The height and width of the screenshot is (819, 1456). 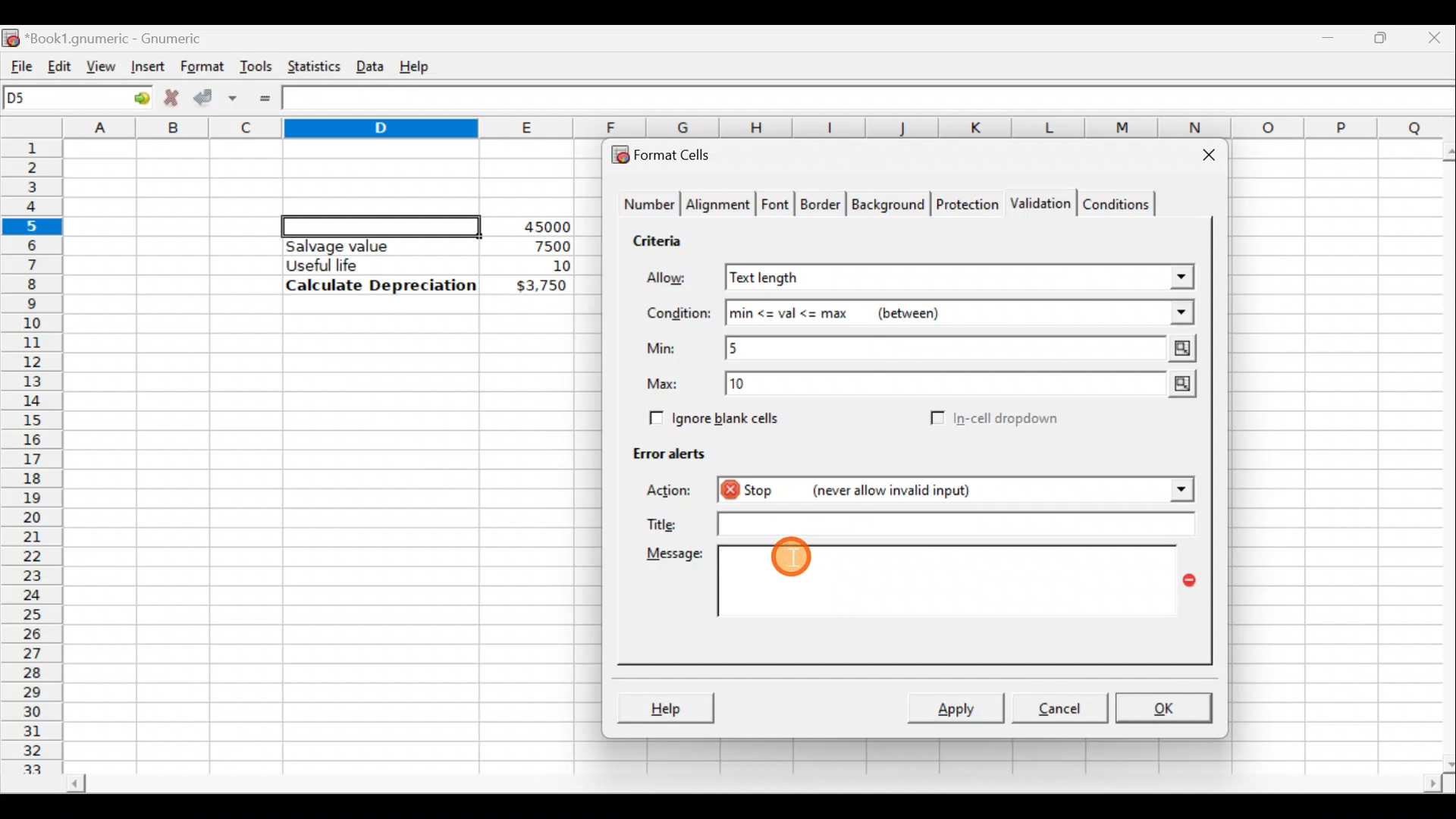 What do you see at coordinates (367, 246) in the screenshot?
I see `Salvage value` at bounding box center [367, 246].